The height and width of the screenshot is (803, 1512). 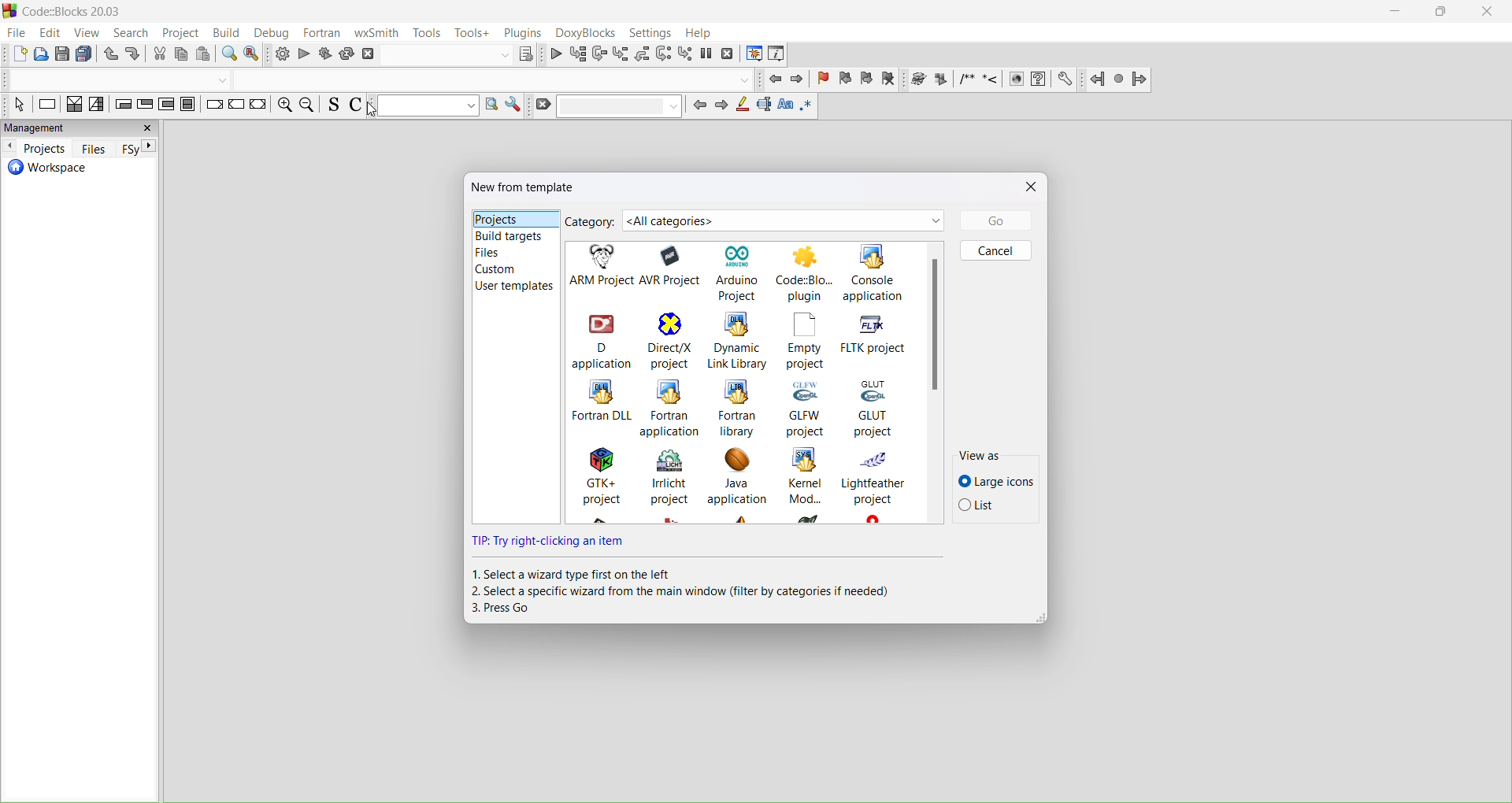 What do you see at coordinates (1039, 80) in the screenshot?
I see `HTML help` at bounding box center [1039, 80].